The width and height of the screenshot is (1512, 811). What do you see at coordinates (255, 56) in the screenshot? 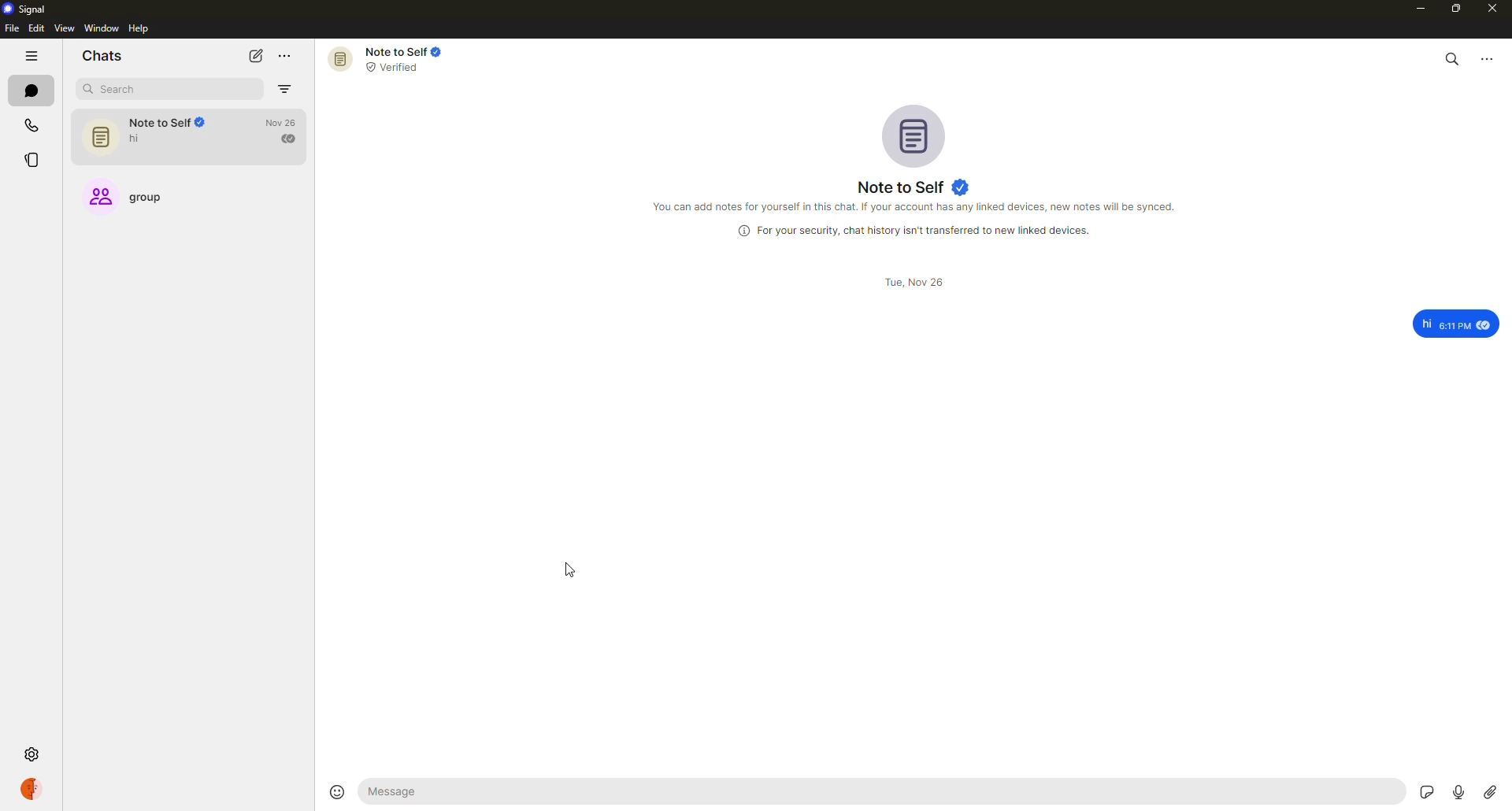
I see `new chat` at bounding box center [255, 56].